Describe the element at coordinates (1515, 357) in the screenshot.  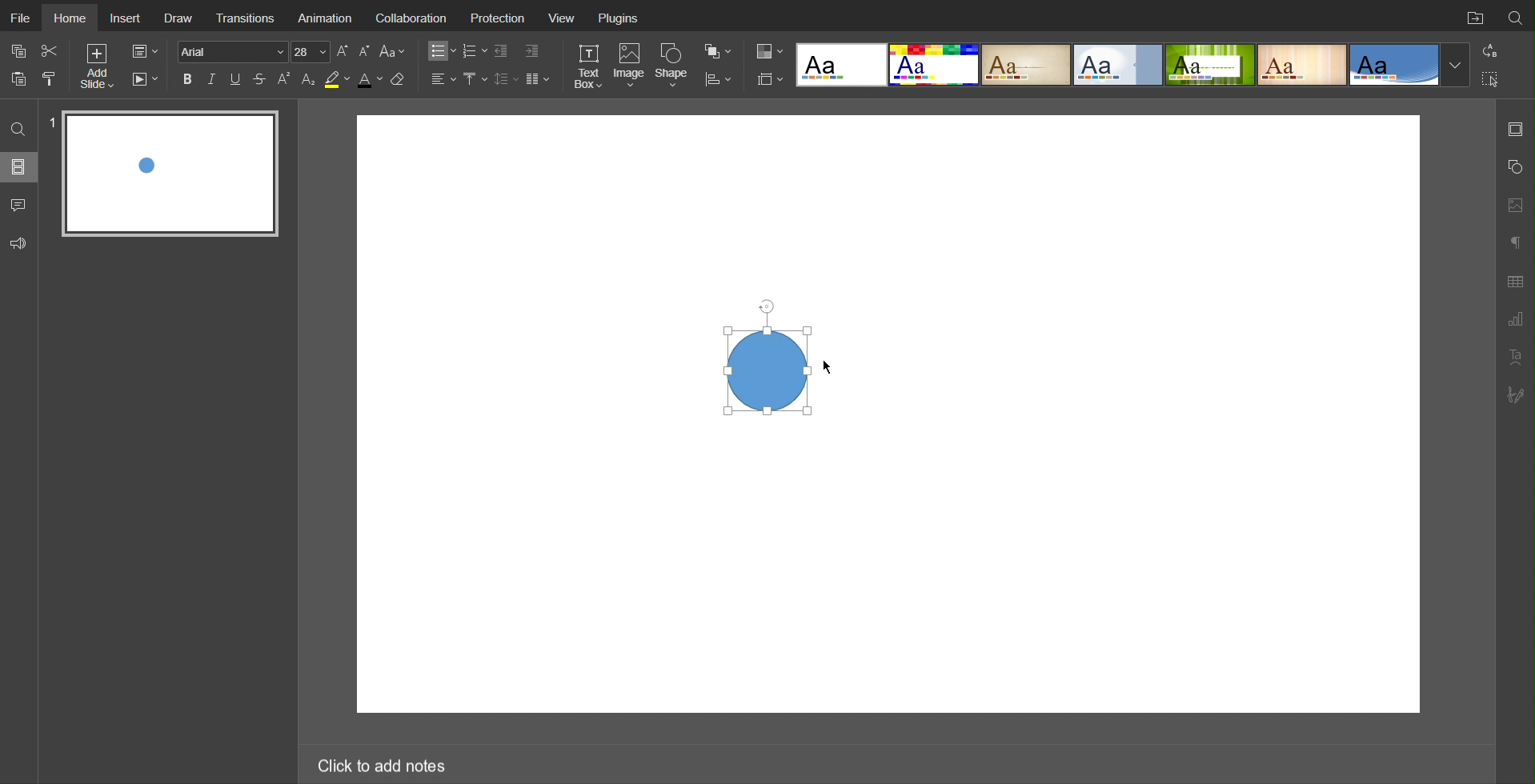
I see `Text Art` at that location.